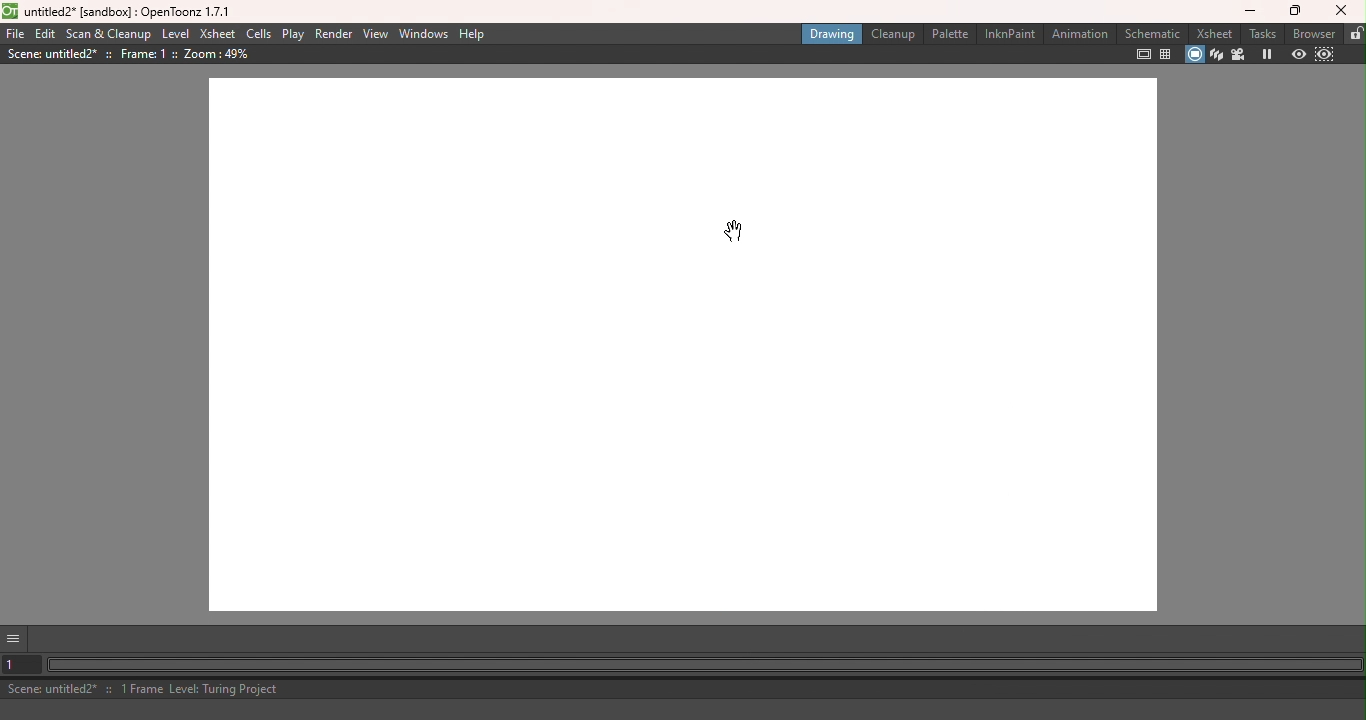 The height and width of the screenshot is (720, 1366). I want to click on Minimize, so click(1252, 13).